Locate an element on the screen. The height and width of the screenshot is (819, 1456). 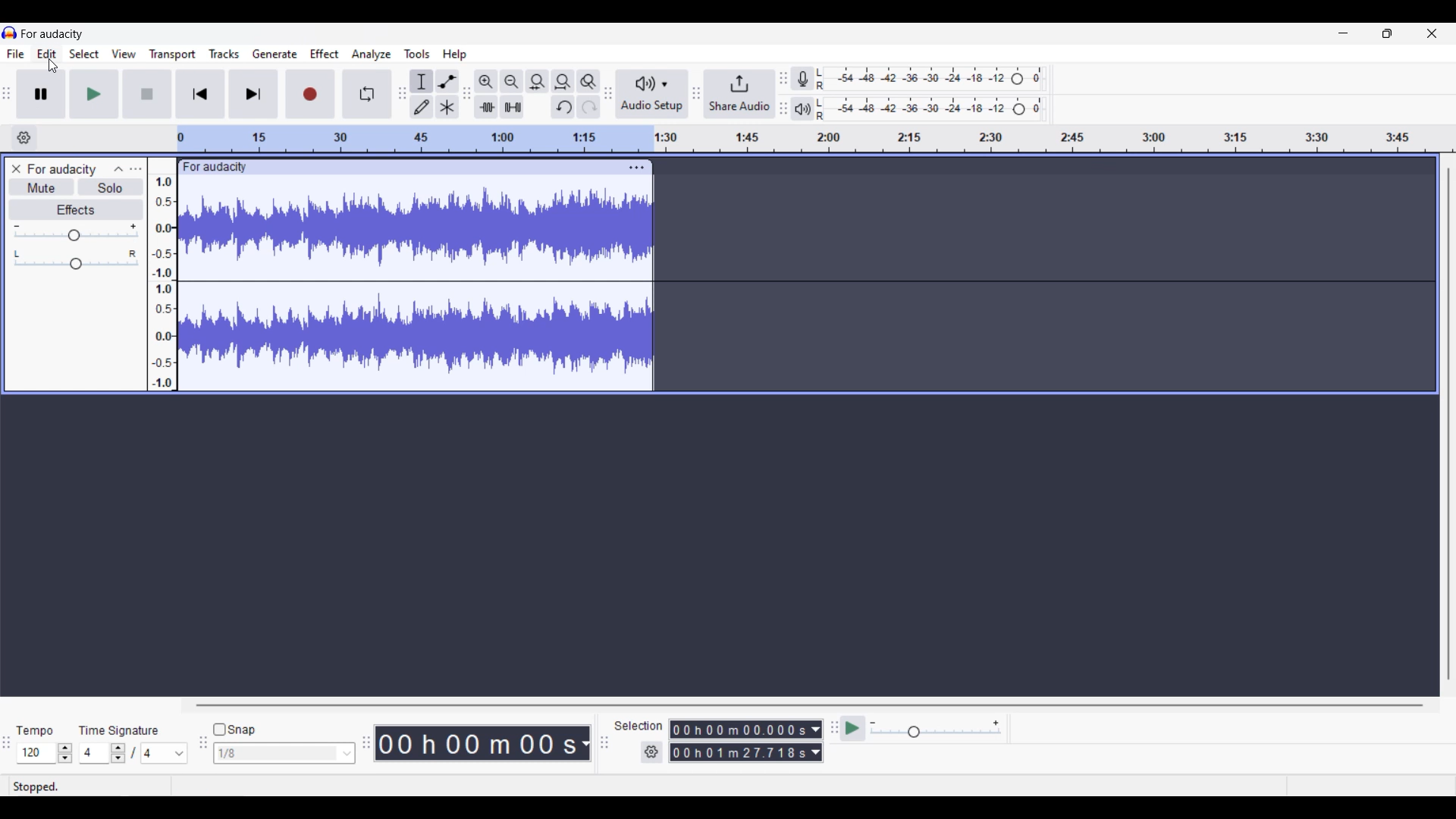
Record meter is located at coordinates (802, 78).